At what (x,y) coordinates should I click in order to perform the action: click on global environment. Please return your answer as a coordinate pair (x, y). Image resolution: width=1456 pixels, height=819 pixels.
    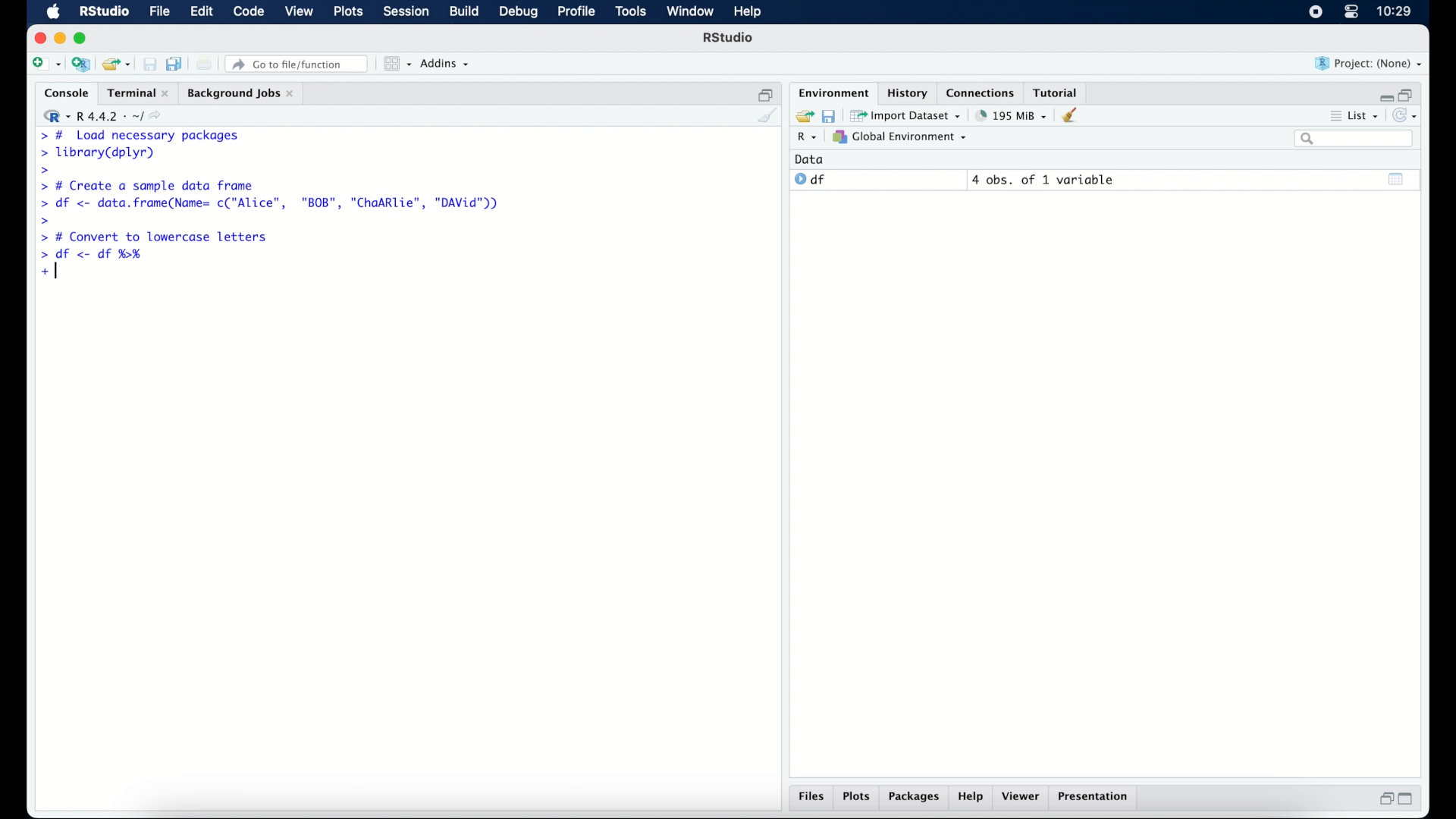
    Looking at the image, I should click on (900, 137).